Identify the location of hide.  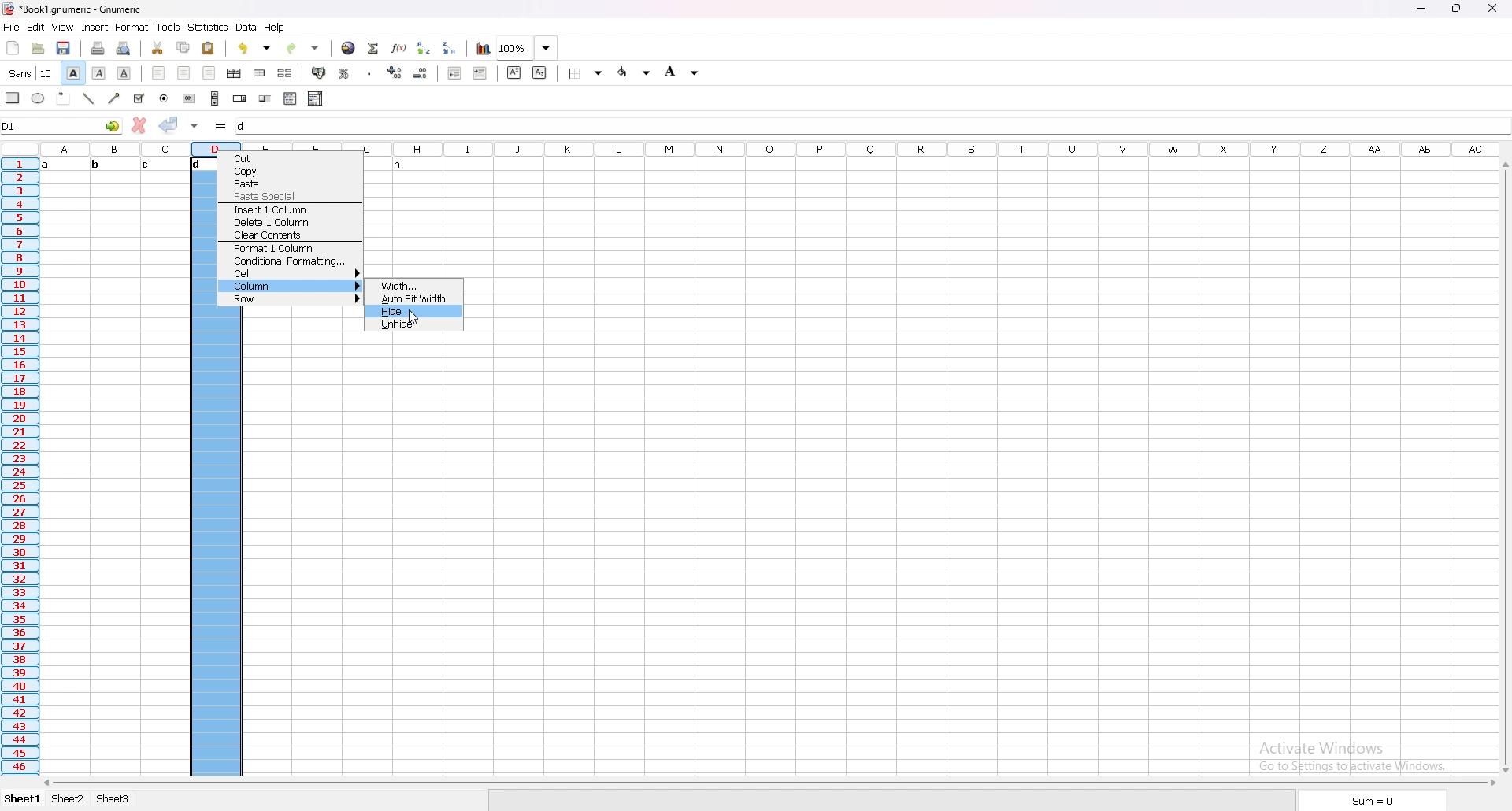
(413, 312).